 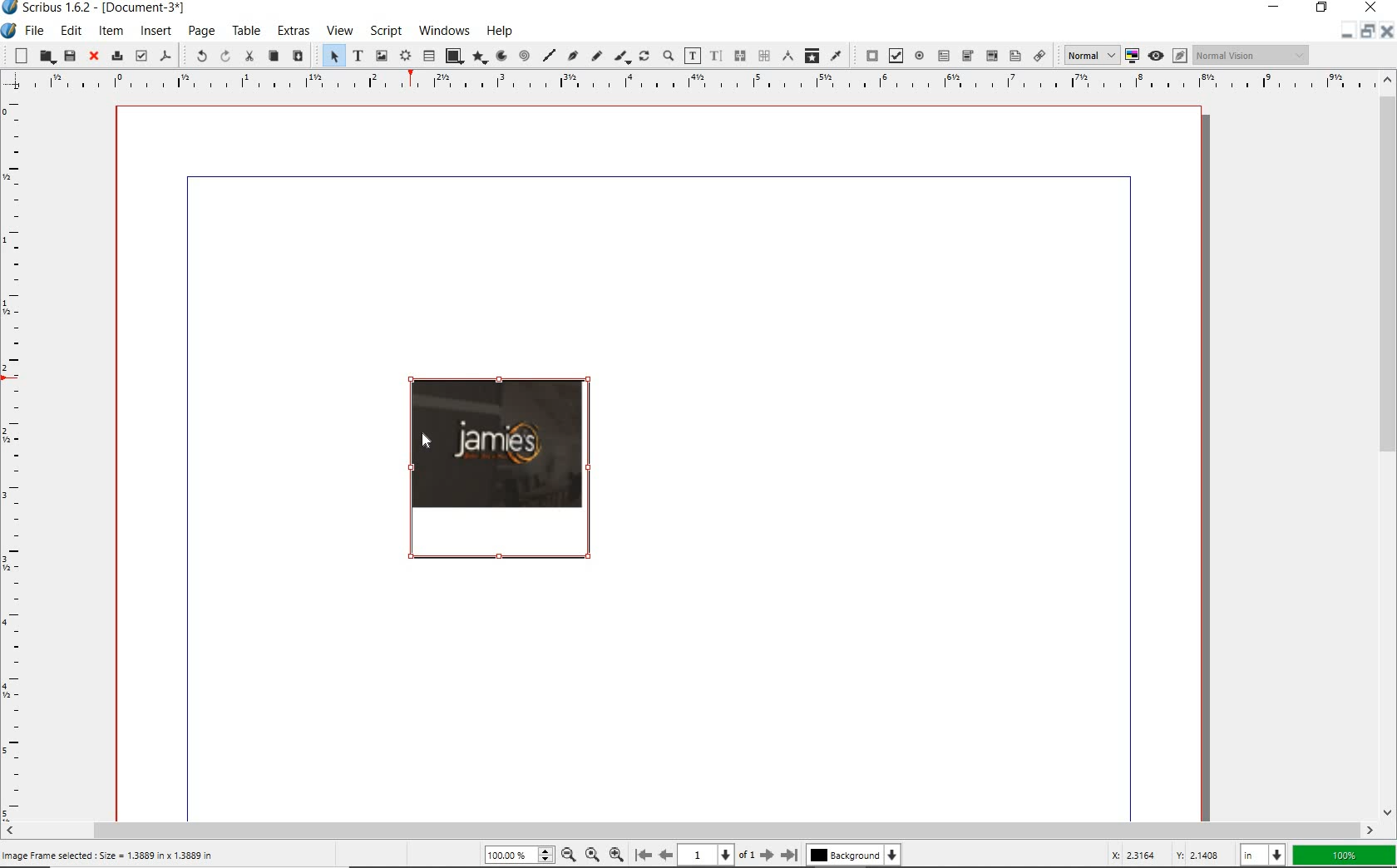 I want to click on close, so click(x=95, y=56).